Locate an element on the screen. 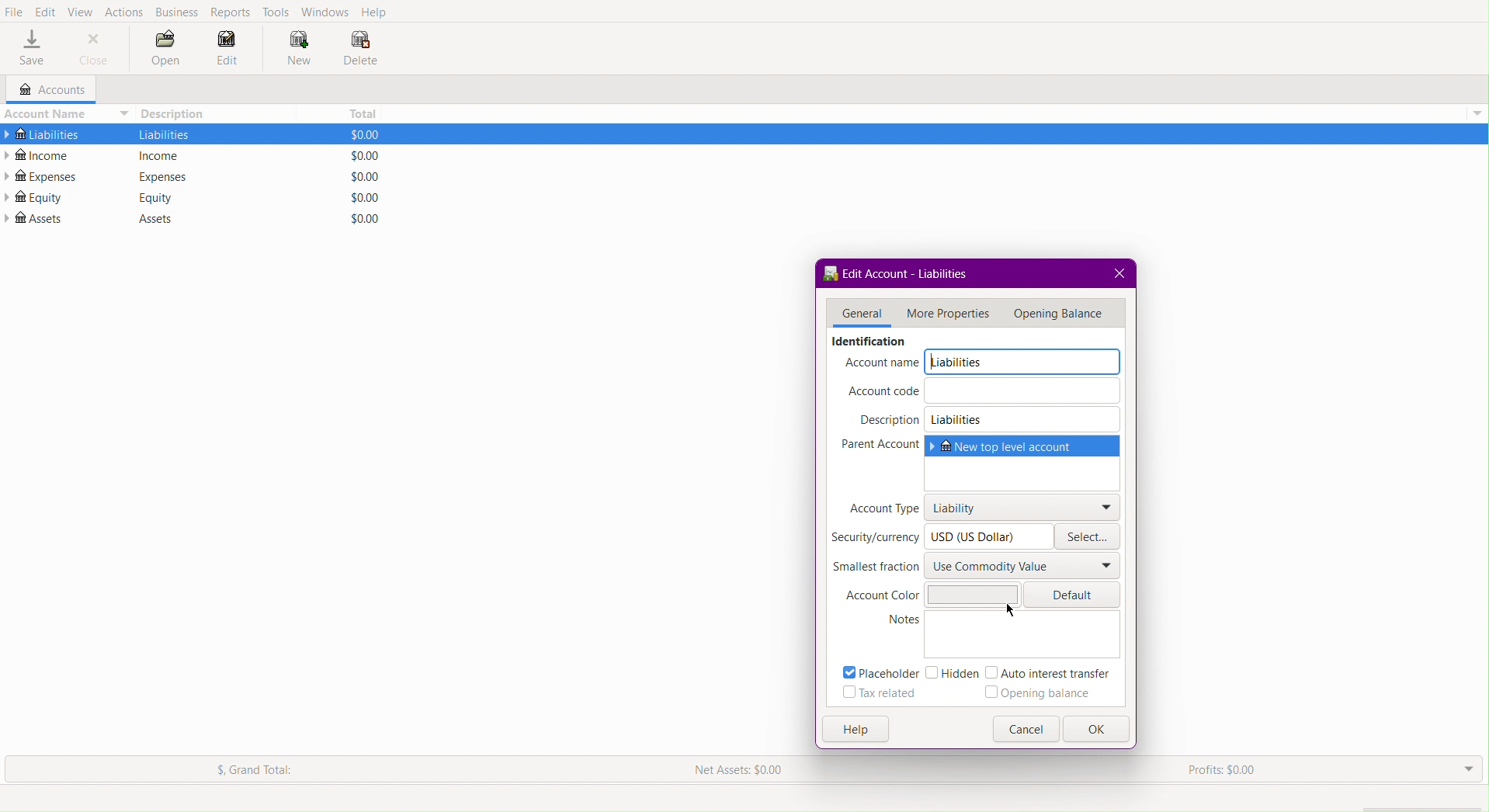  income is located at coordinates (161, 156).